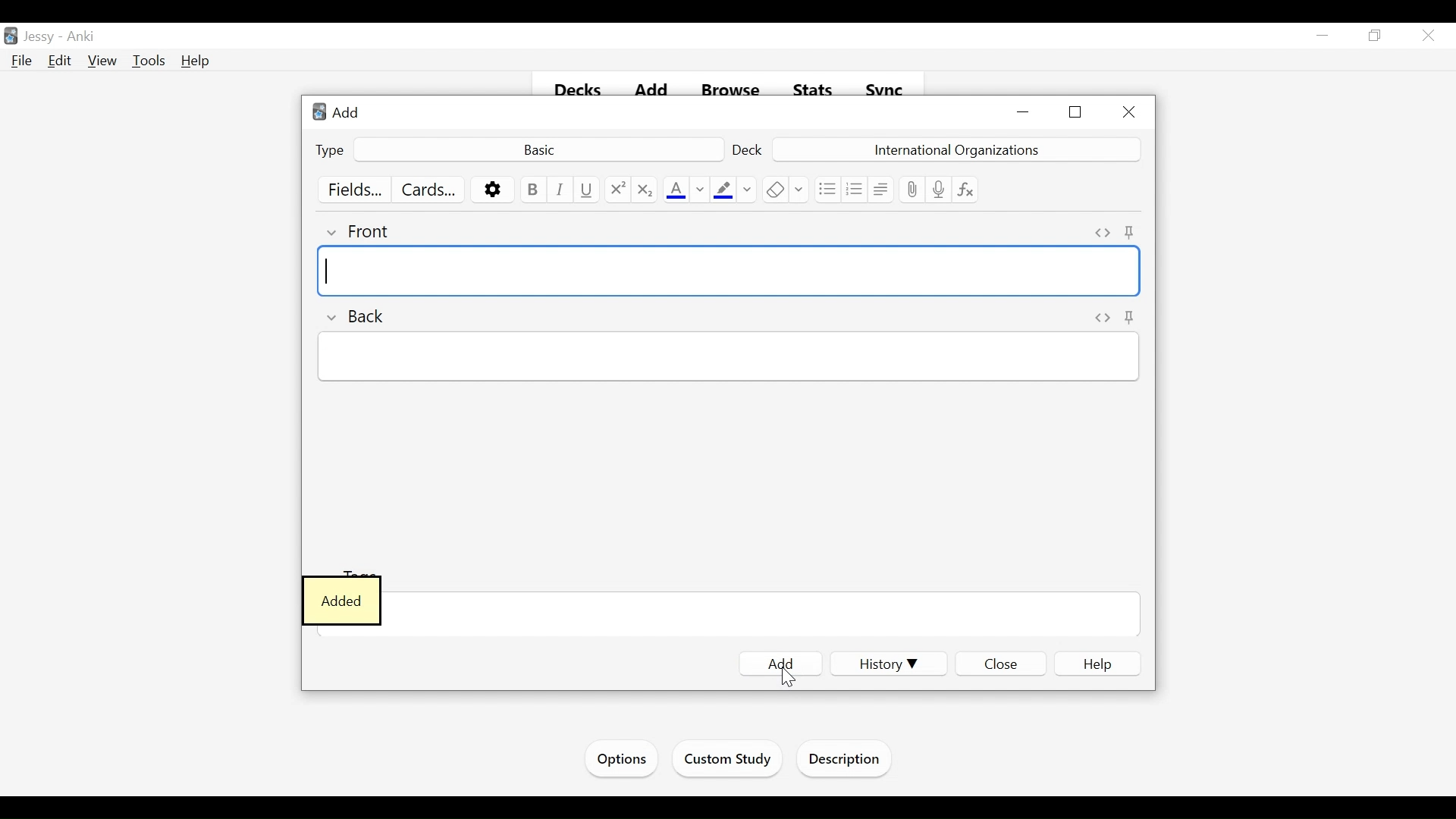 The width and height of the screenshot is (1456, 819). What do you see at coordinates (349, 189) in the screenshot?
I see `Fields` at bounding box center [349, 189].